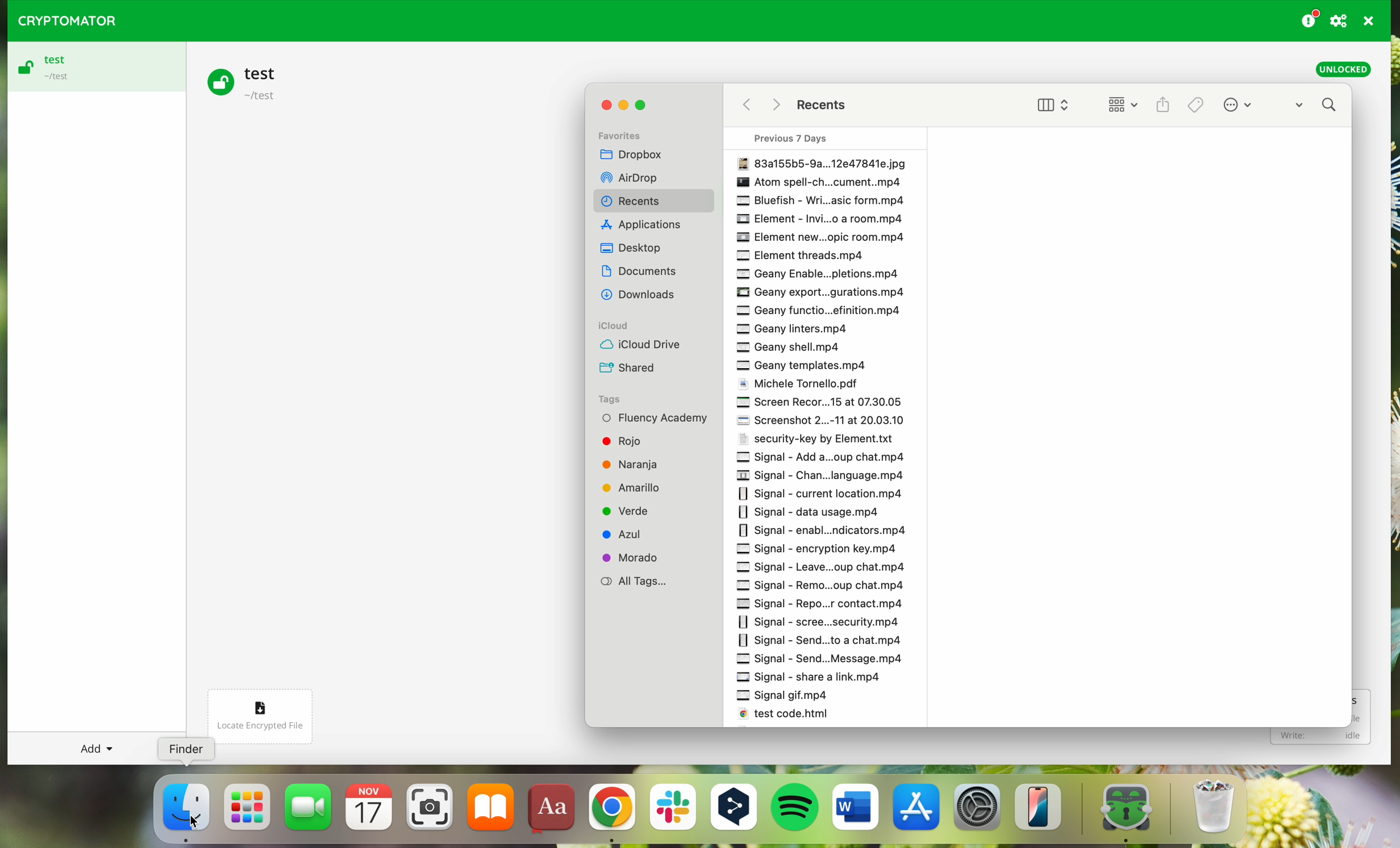 The width and height of the screenshot is (1400, 848). Describe the element at coordinates (823, 423) in the screenshot. I see `Screenshot 2` at that location.